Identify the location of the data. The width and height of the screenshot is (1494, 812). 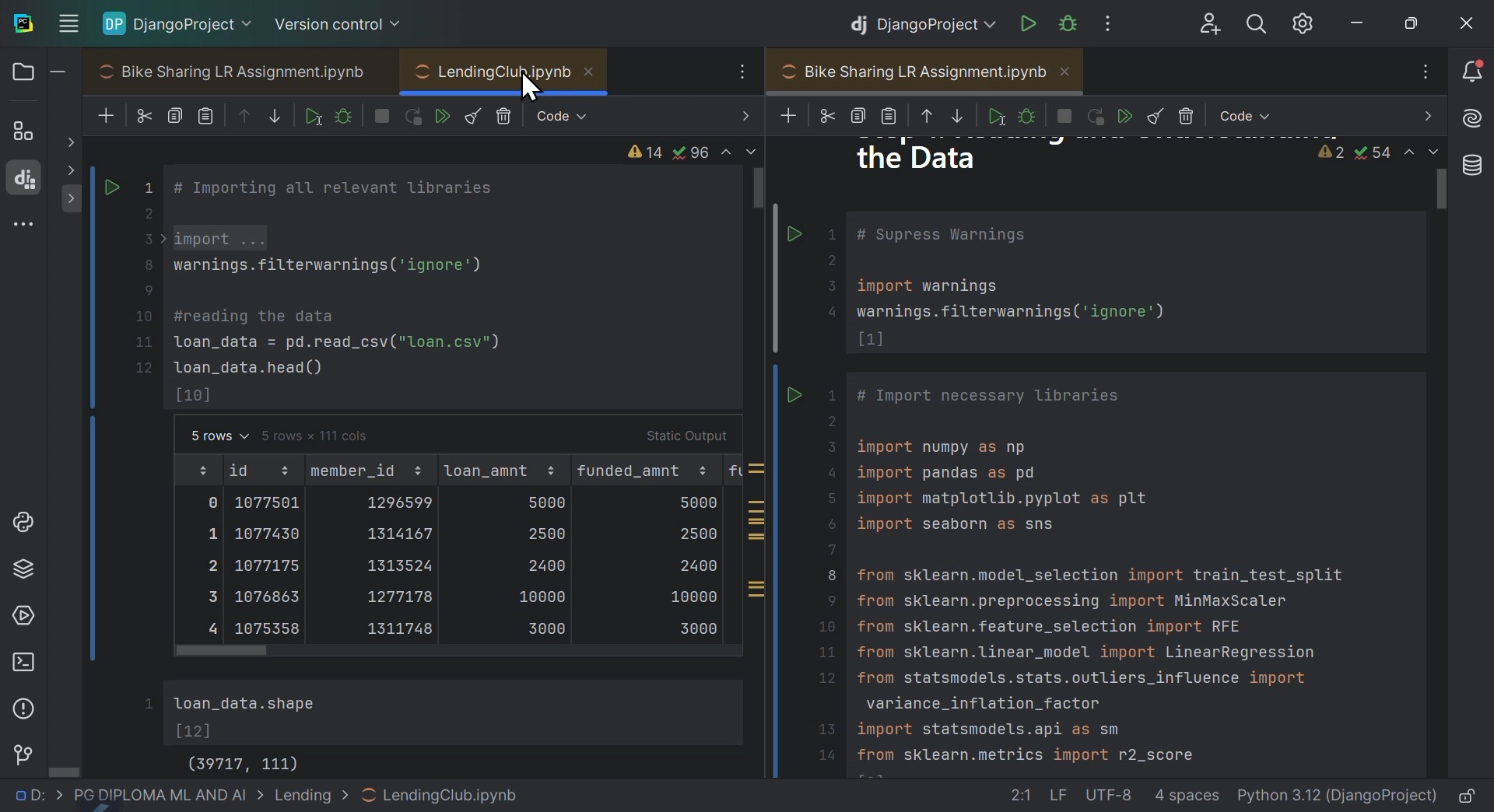
(1003, 156).